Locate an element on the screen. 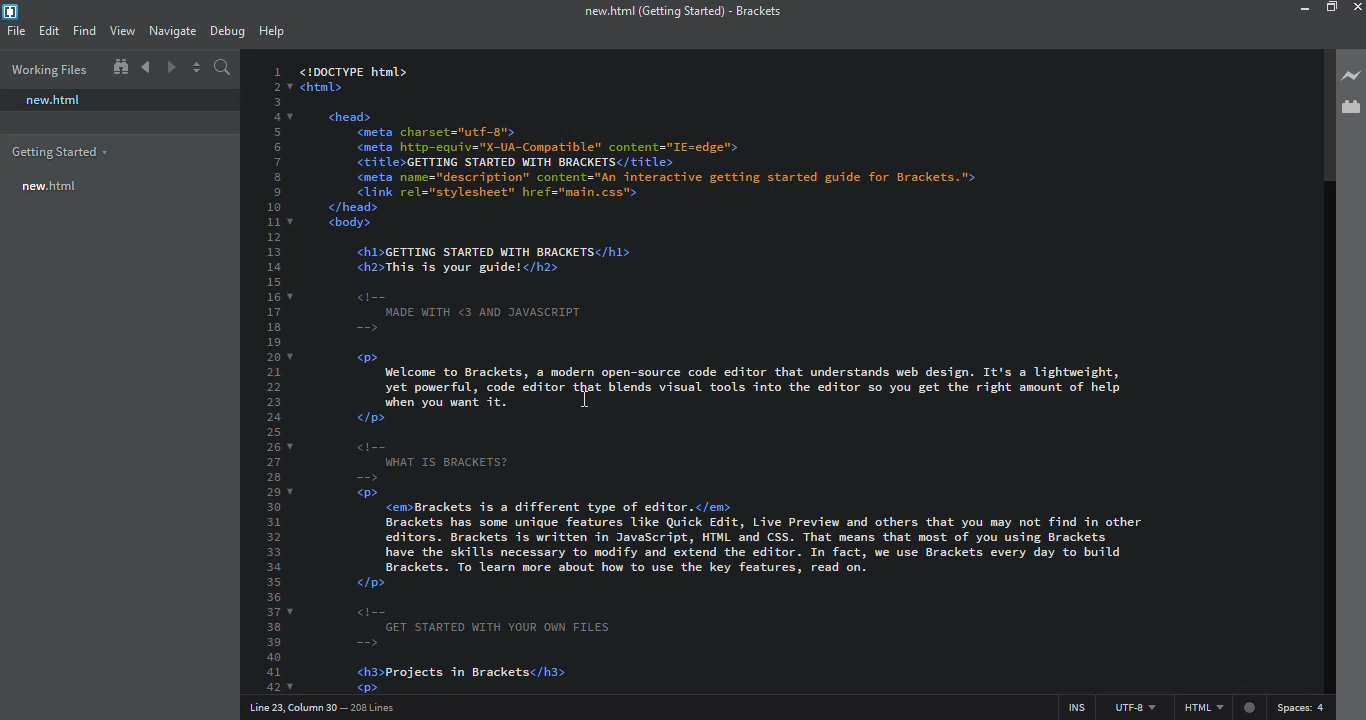 This screenshot has height=720, width=1366. getting started is located at coordinates (64, 152).